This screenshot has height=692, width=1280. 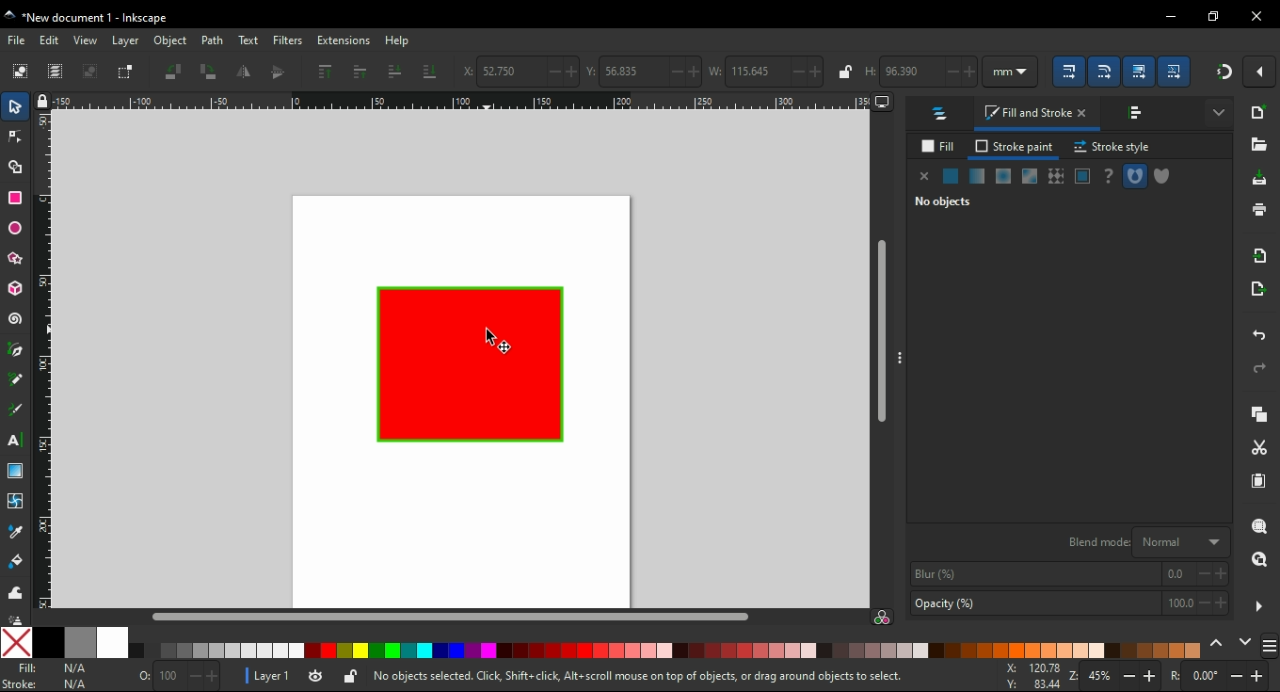 I want to click on swatch, so click(x=1031, y=176).